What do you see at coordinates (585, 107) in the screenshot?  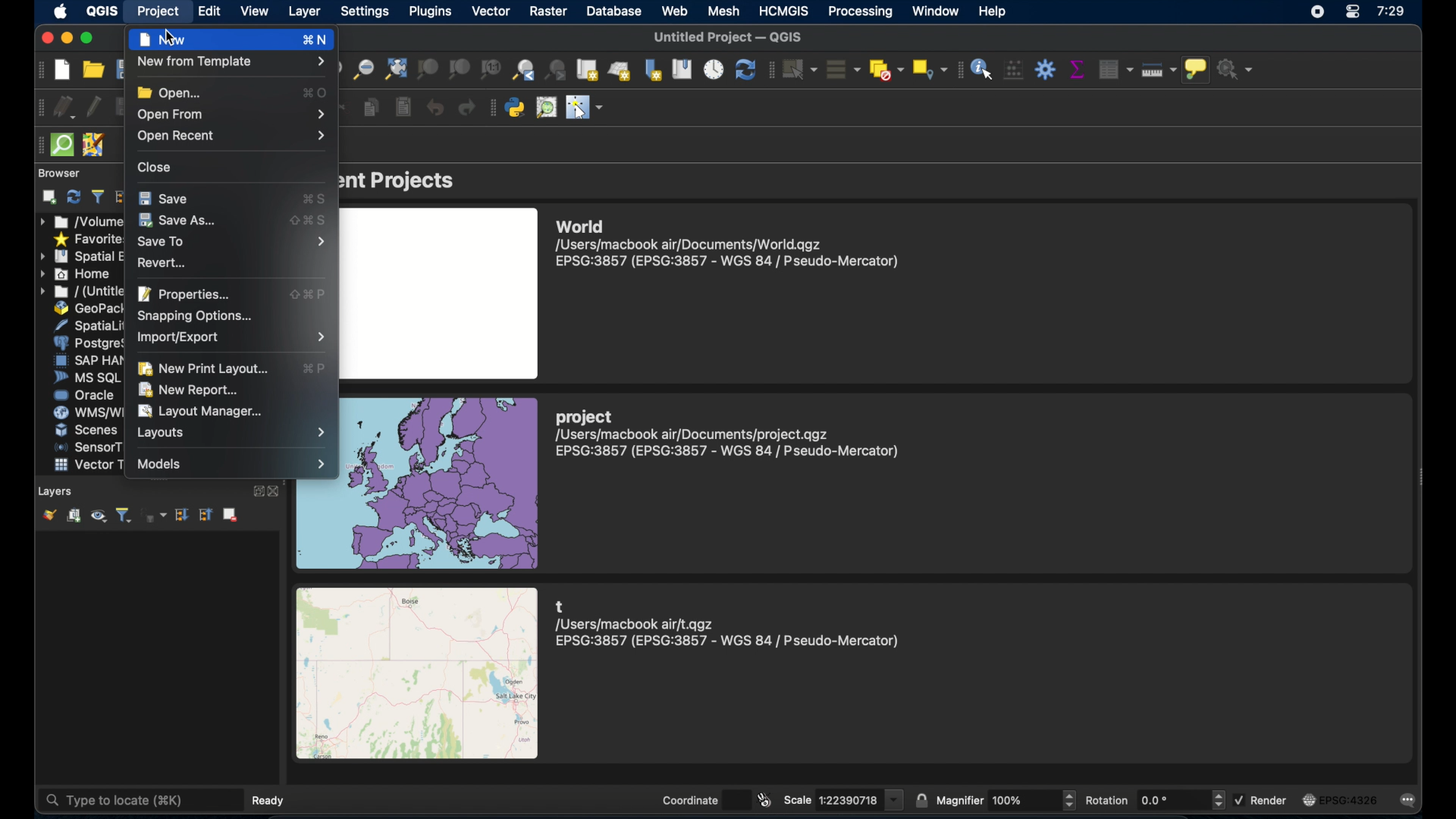 I see `switched mouse to configurable pointer` at bounding box center [585, 107].